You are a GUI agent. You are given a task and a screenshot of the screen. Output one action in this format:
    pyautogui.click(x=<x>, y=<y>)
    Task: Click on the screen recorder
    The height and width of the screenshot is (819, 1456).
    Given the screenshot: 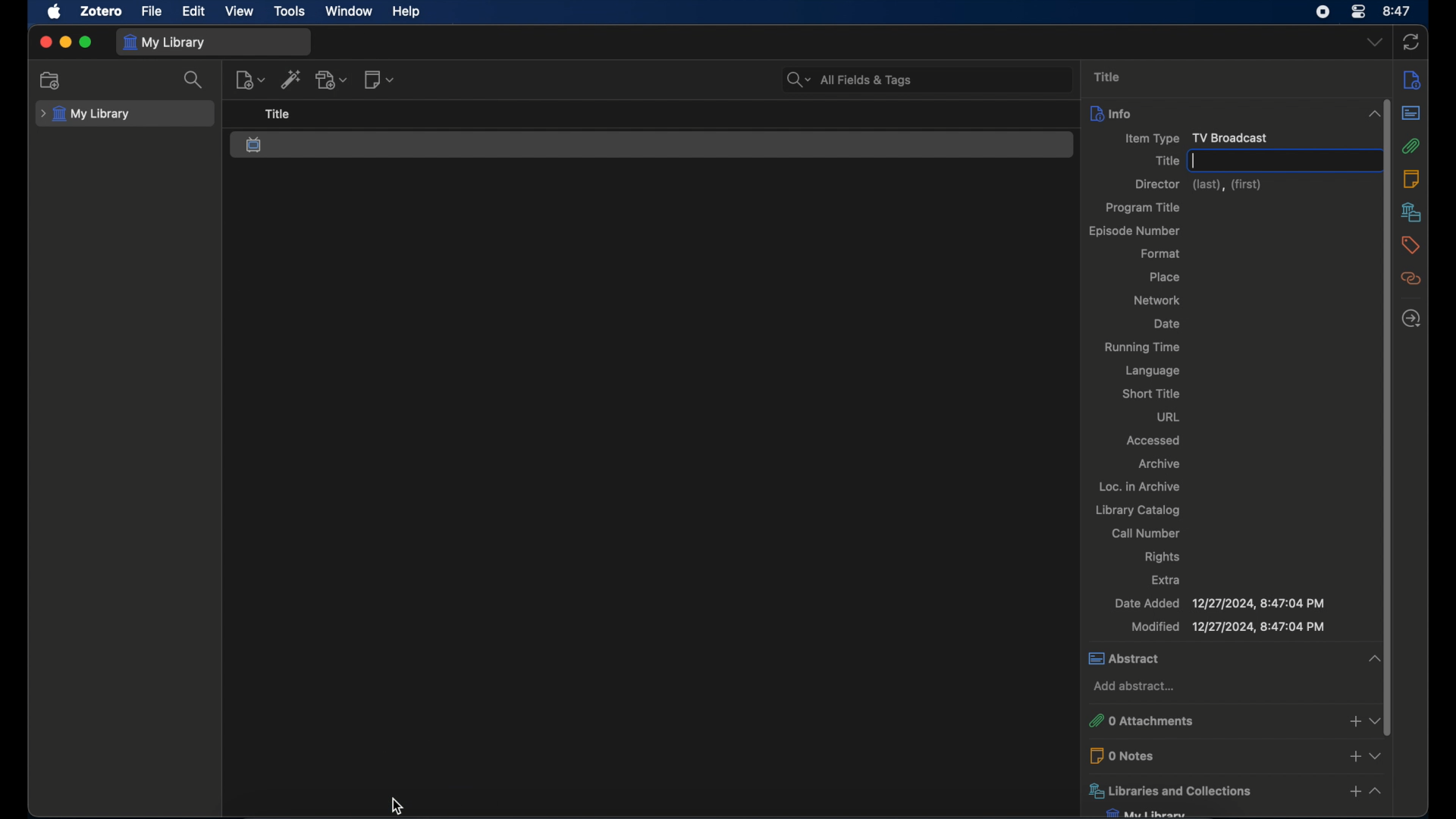 What is the action you would take?
    pyautogui.click(x=1323, y=12)
    